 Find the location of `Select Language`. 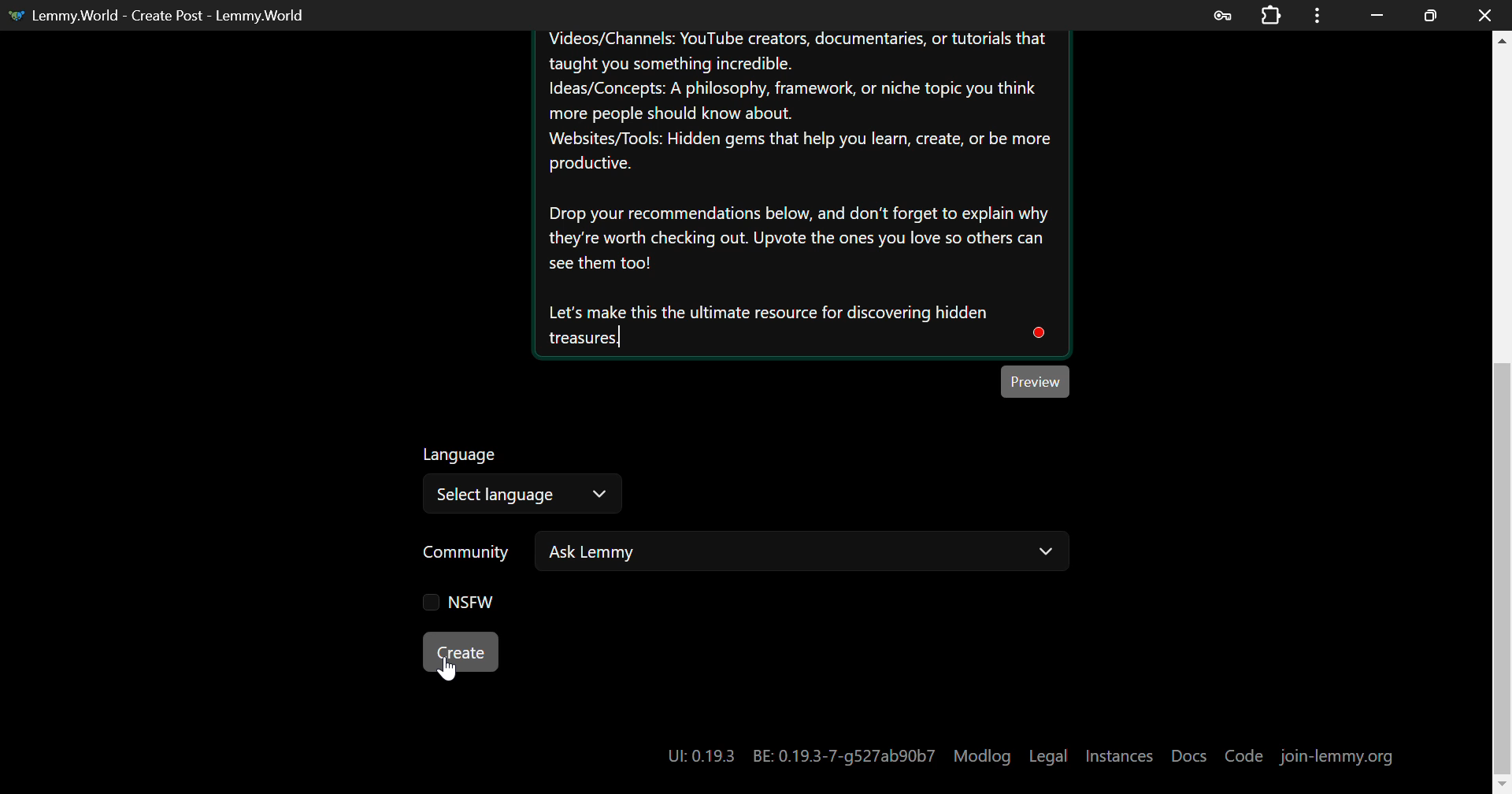

Select Language is located at coordinates (524, 483).